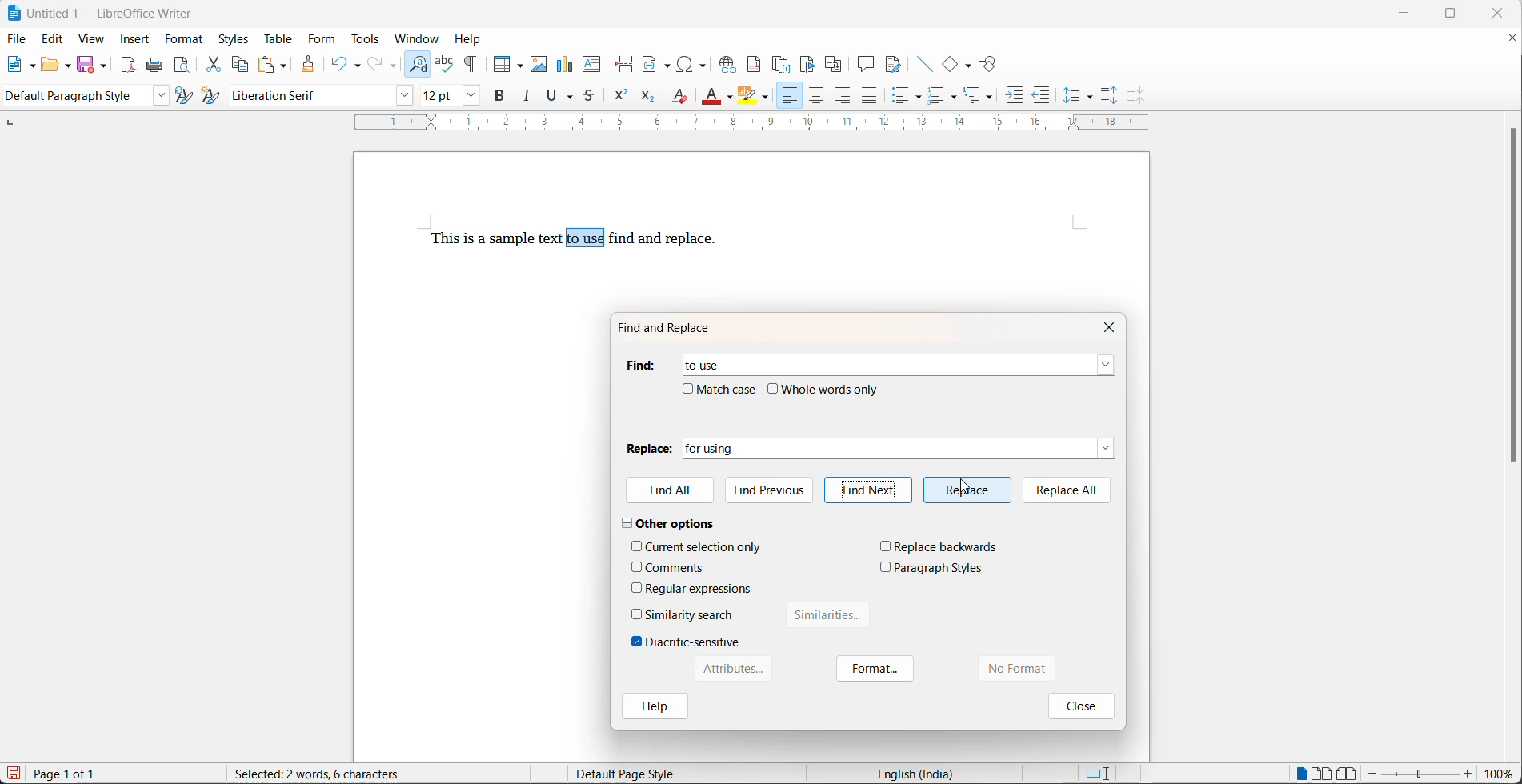 Image resolution: width=1522 pixels, height=784 pixels. I want to click on checkbox, so click(637, 545).